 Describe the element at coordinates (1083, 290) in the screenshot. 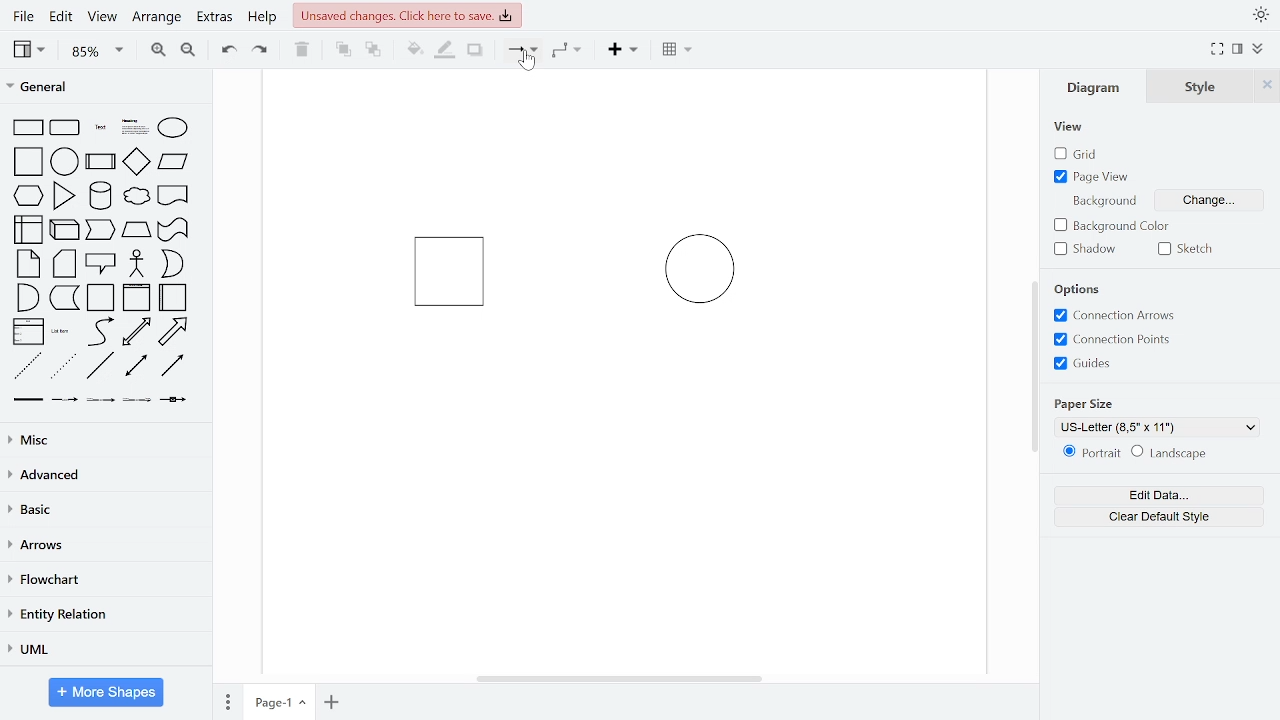

I see `options` at that location.